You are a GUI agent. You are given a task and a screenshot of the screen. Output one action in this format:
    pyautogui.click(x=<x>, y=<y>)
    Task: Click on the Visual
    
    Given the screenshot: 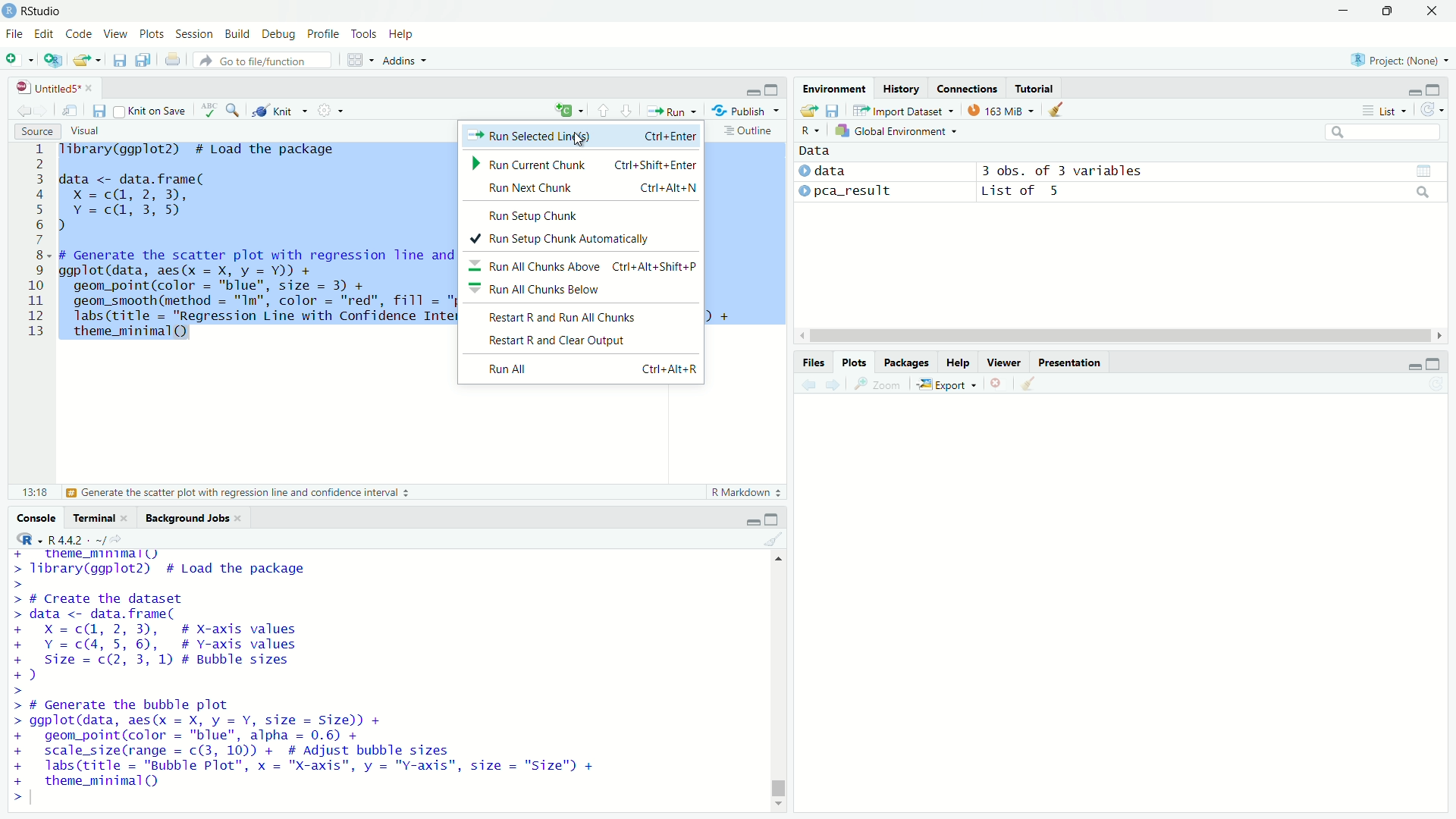 What is the action you would take?
    pyautogui.click(x=85, y=131)
    